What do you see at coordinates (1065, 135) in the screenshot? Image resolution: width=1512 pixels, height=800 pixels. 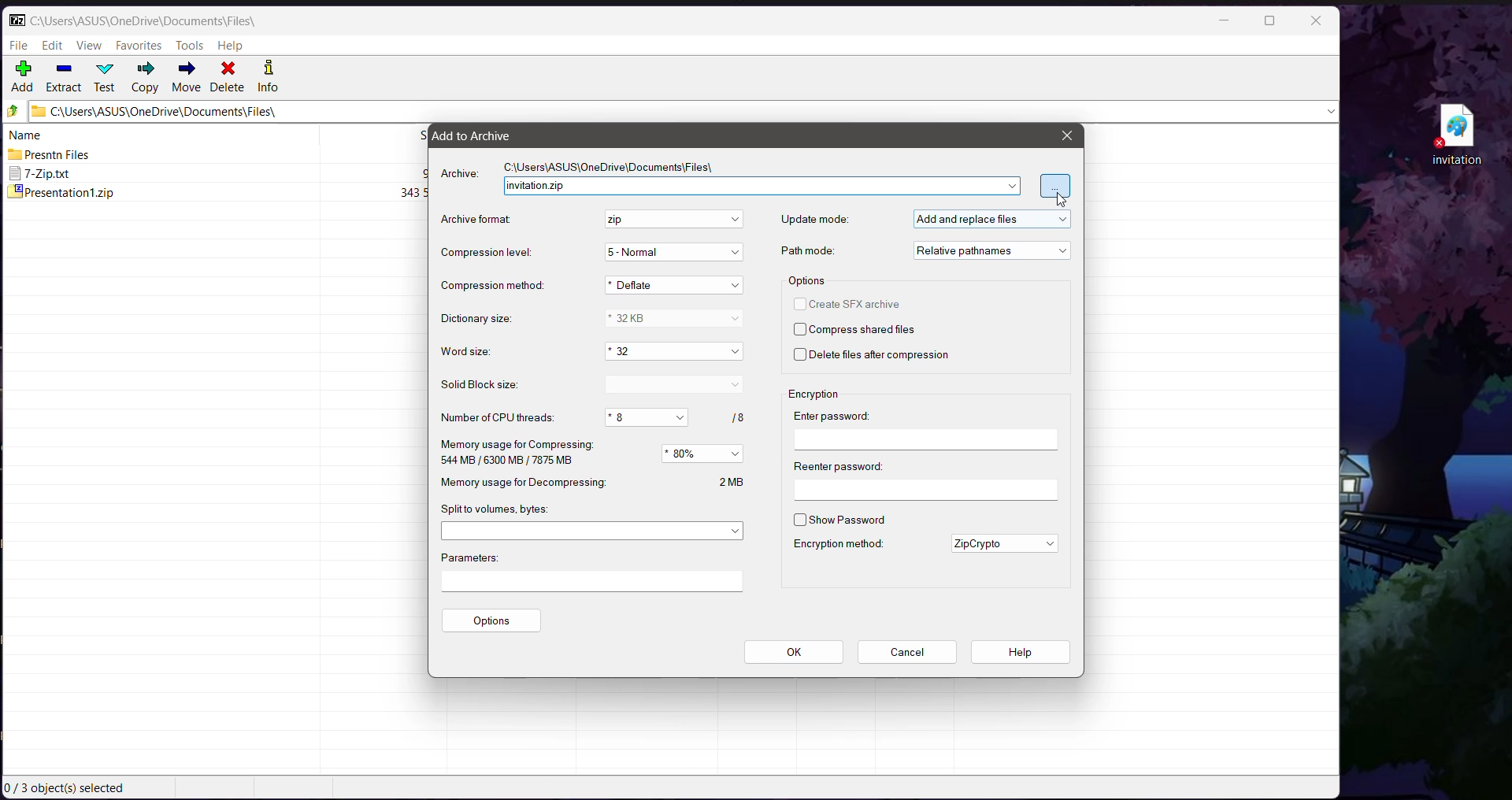 I see `Close` at bounding box center [1065, 135].